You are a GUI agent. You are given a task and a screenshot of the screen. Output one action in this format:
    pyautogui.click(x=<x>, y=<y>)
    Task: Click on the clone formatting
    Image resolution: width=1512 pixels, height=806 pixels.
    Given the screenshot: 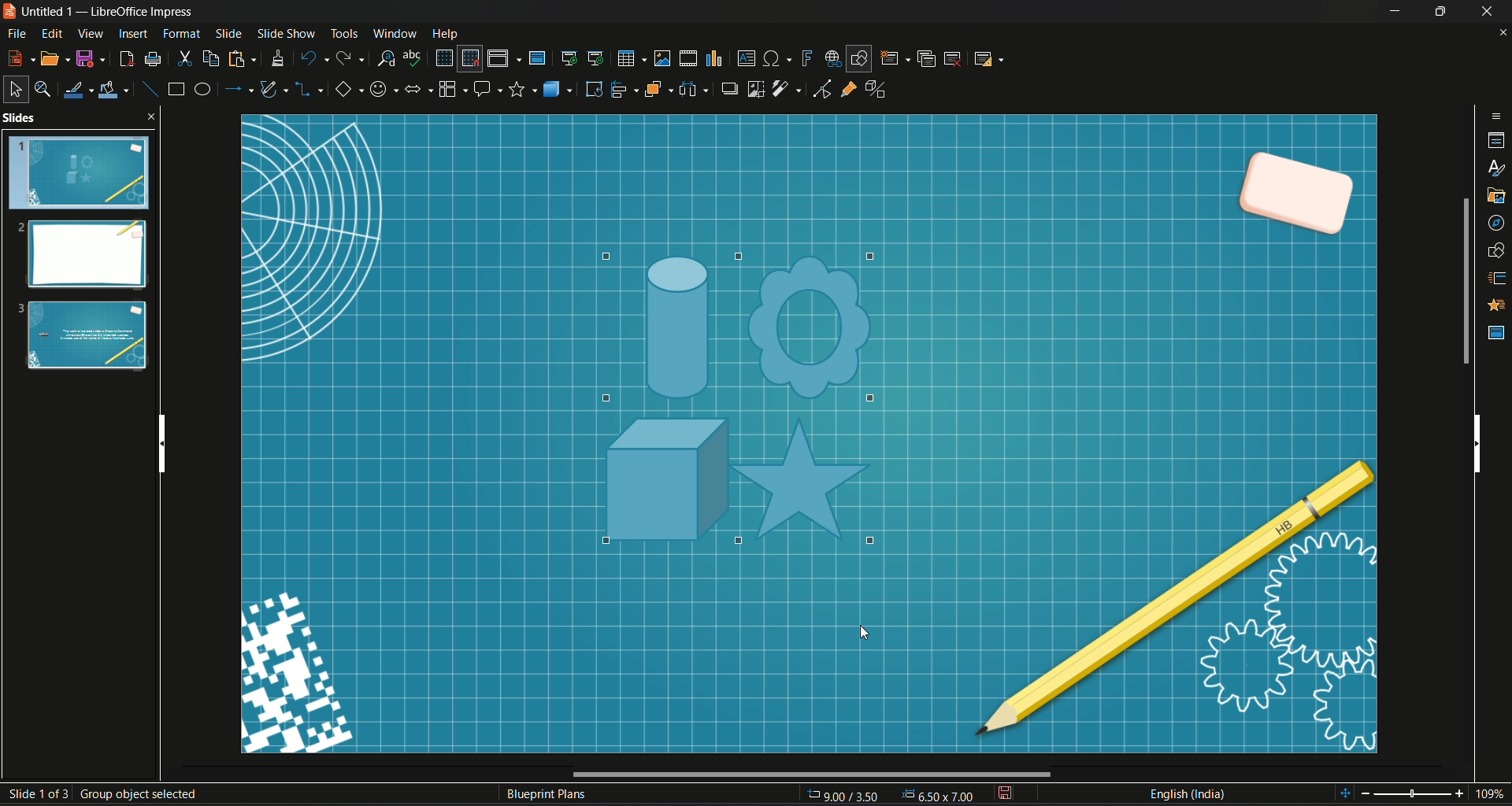 What is the action you would take?
    pyautogui.click(x=277, y=58)
    